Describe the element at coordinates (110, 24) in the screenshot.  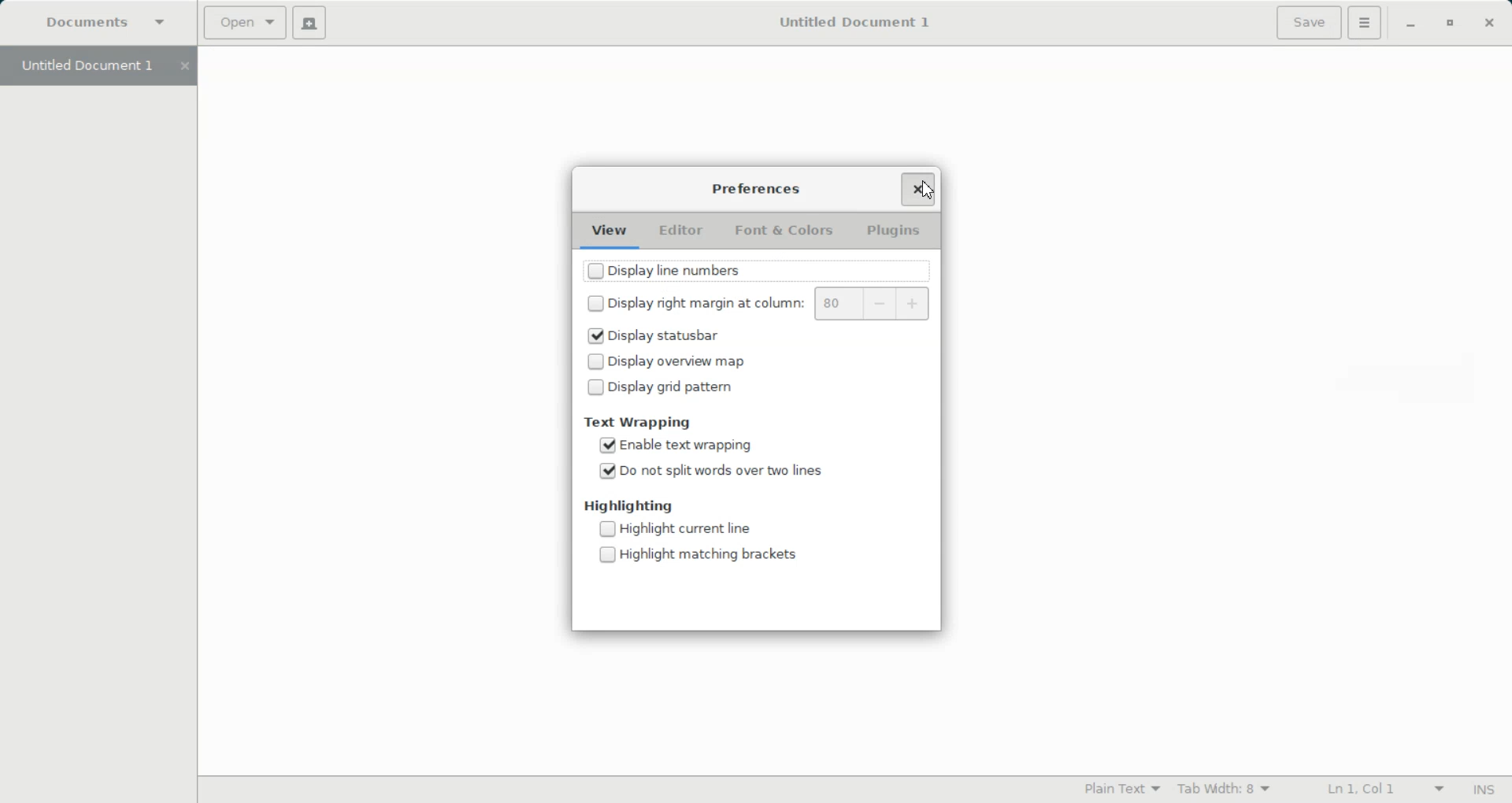
I see `Document ` at that location.